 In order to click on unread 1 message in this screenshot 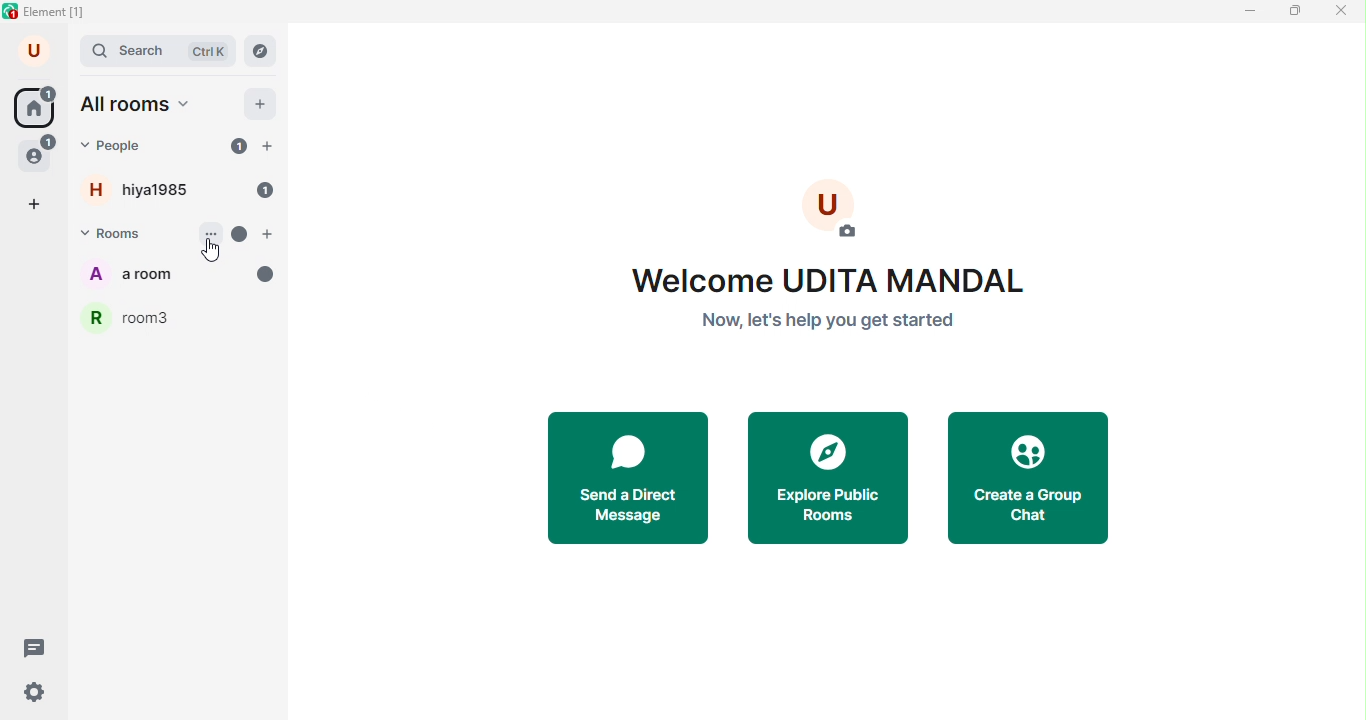, I will do `click(236, 147)`.